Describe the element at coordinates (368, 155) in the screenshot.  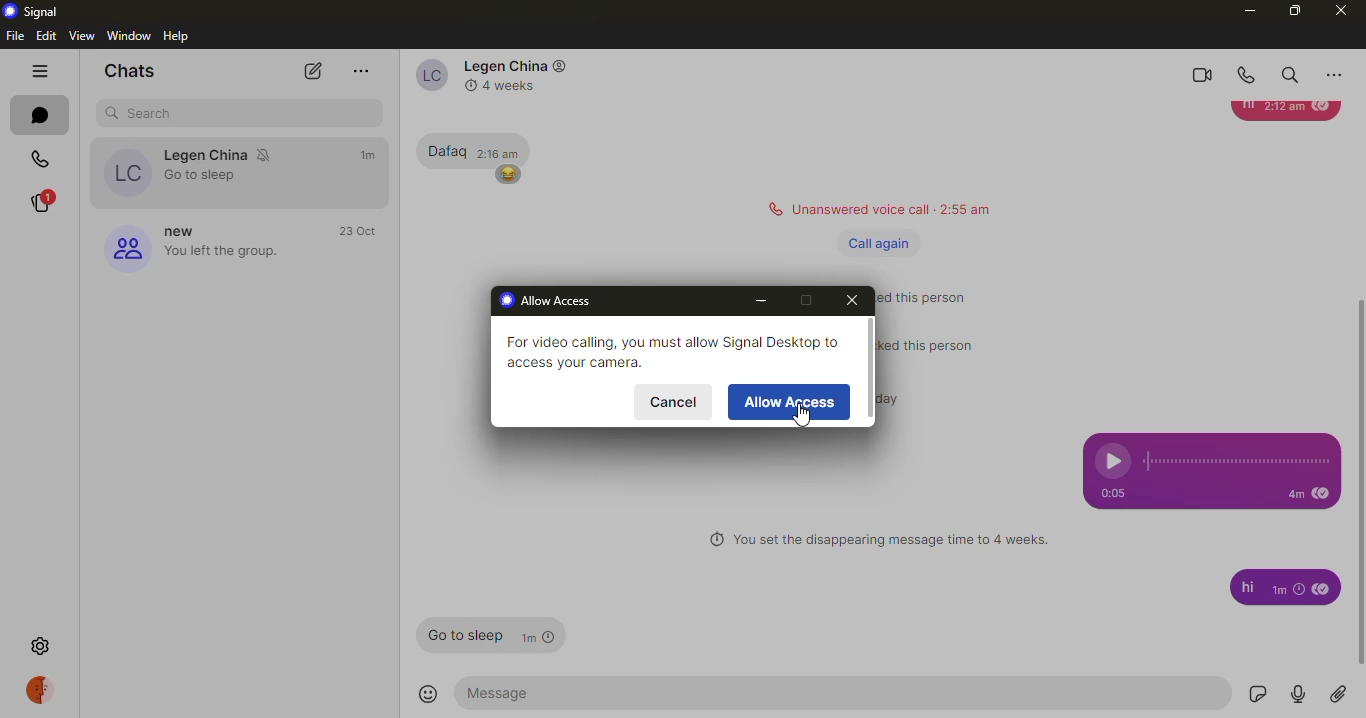
I see `time` at that location.